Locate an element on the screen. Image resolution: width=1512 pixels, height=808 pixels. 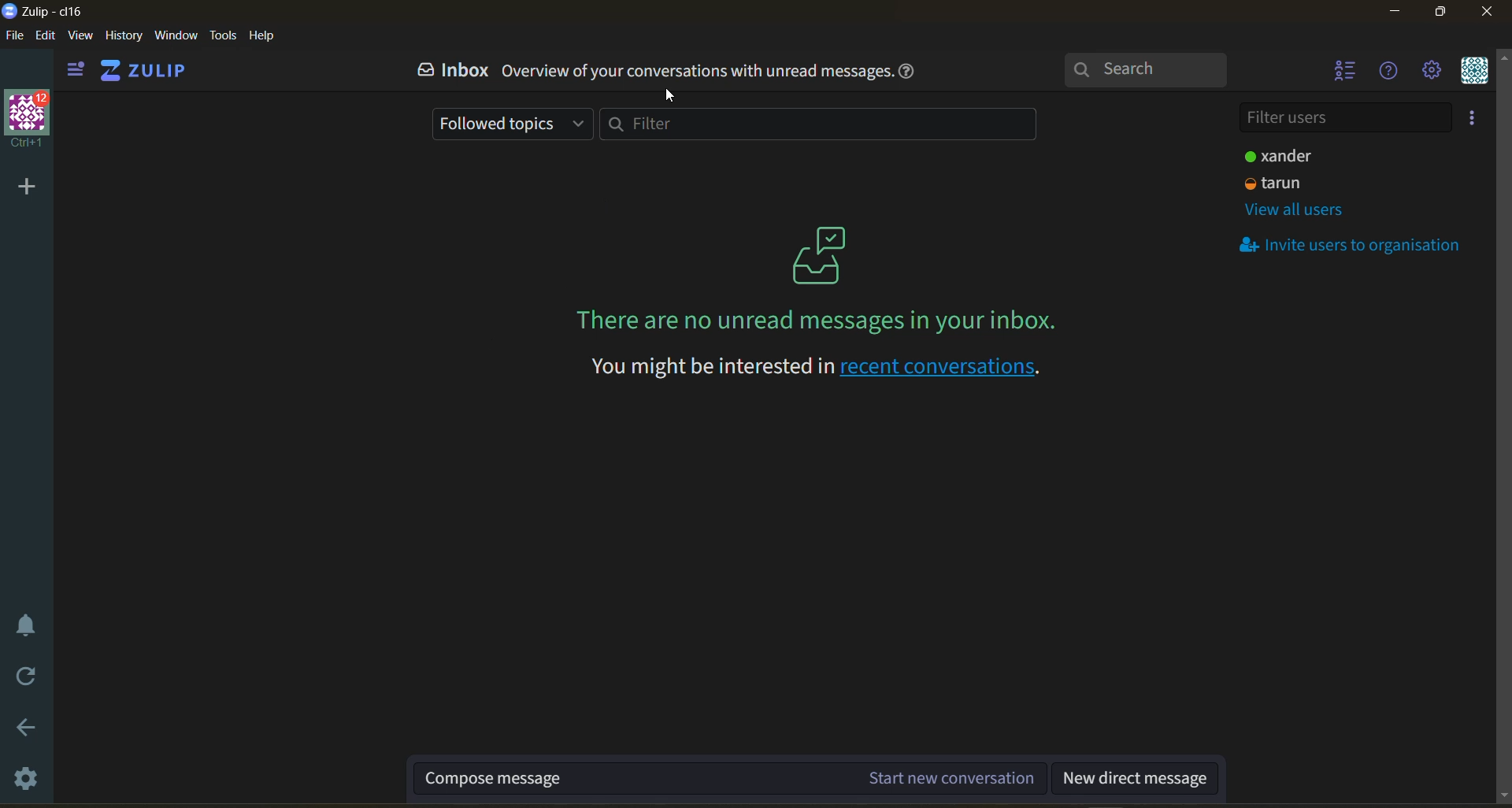
go back is located at coordinates (28, 728).